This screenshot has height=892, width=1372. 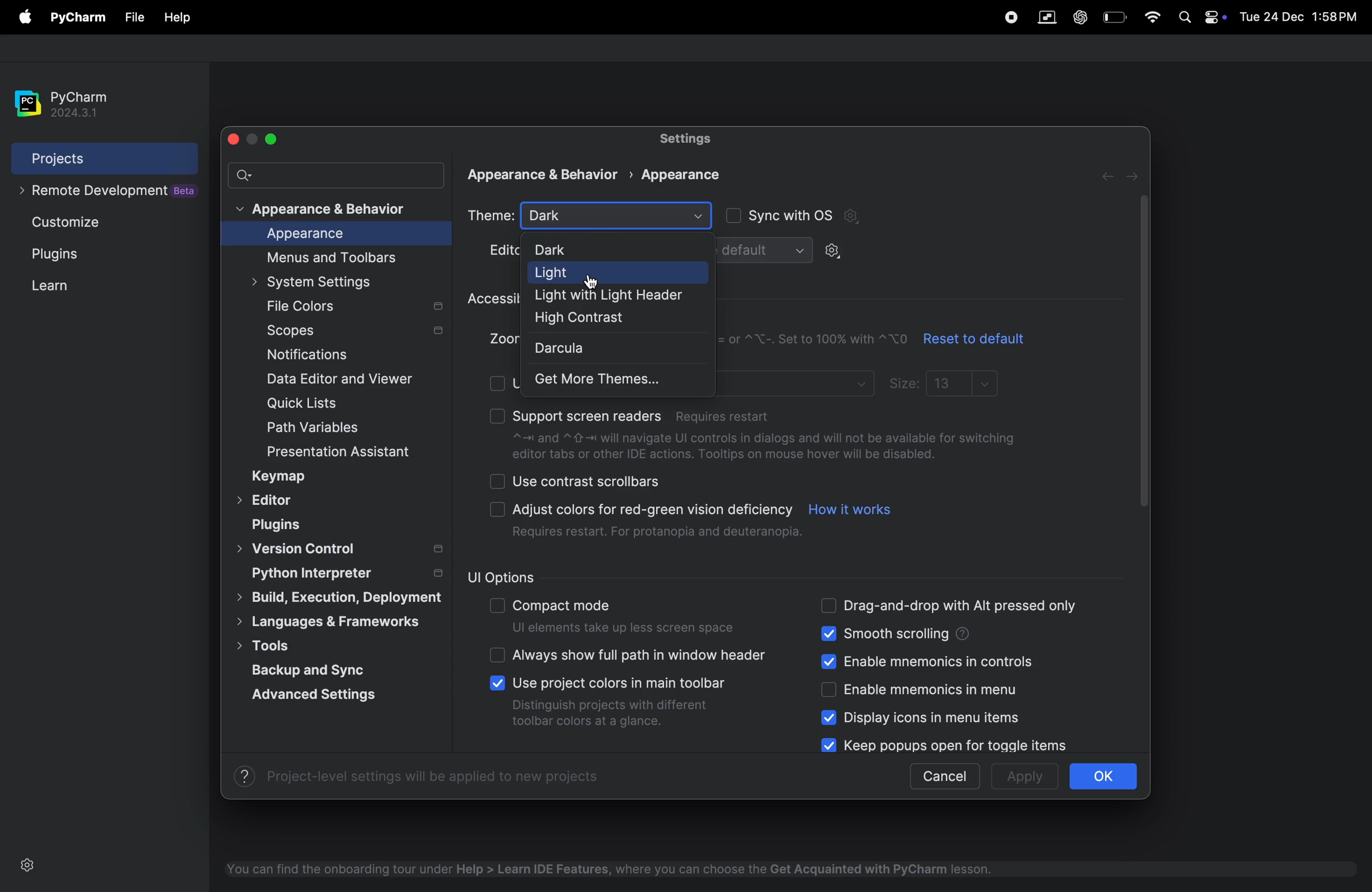 I want to click on keep popups for open for toggle, so click(x=956, y=746).